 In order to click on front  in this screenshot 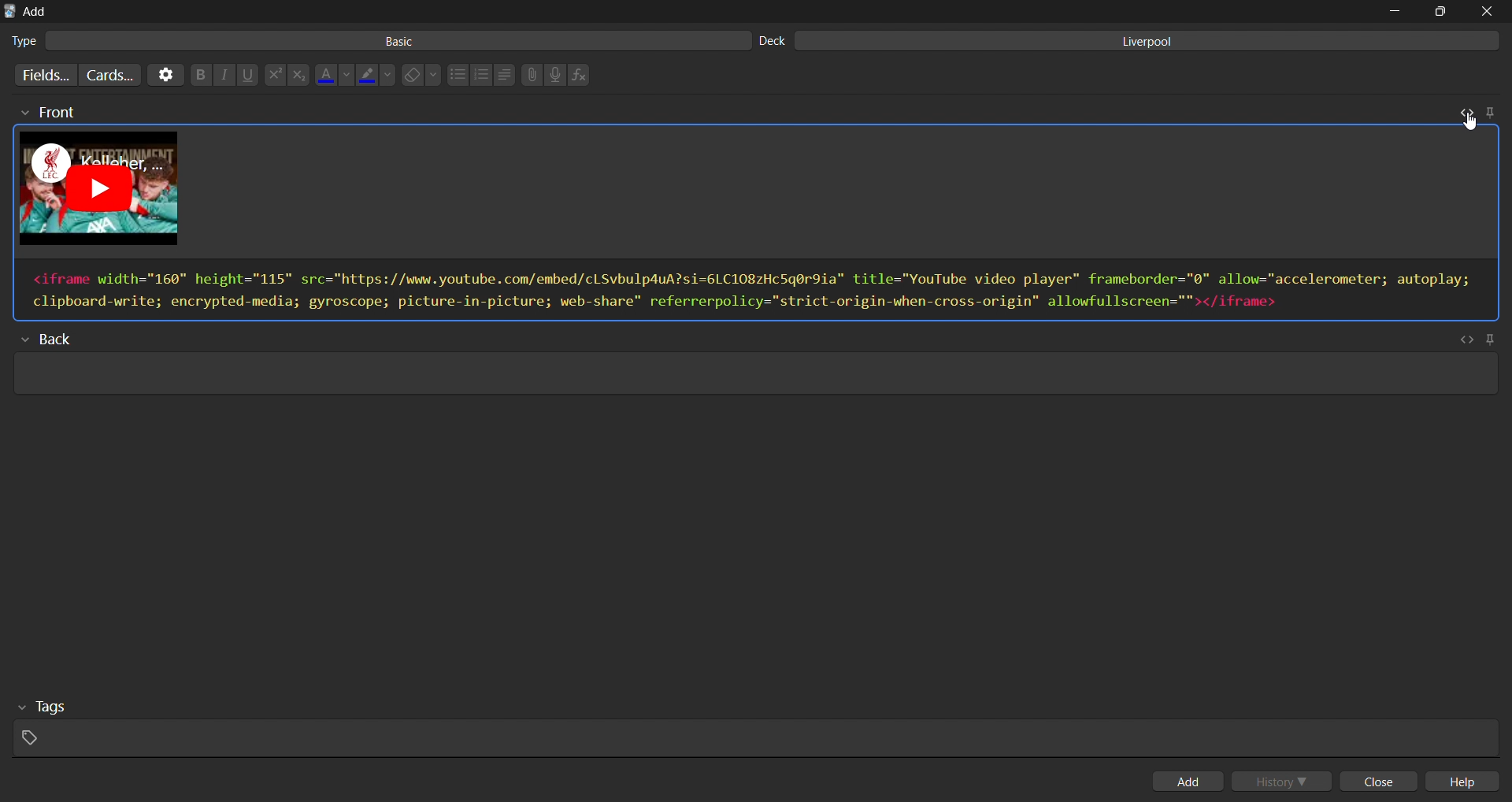, I will do `click(46, 113)`.